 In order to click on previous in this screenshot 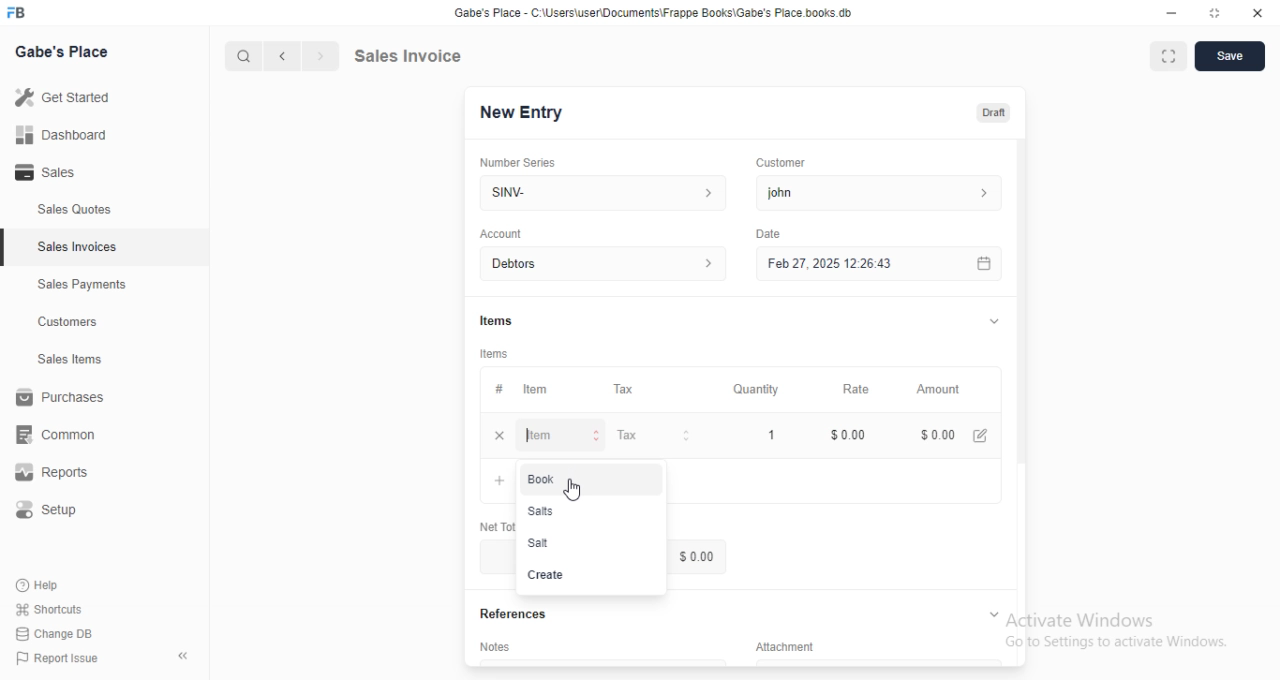, I will do `click(284, 54)`.